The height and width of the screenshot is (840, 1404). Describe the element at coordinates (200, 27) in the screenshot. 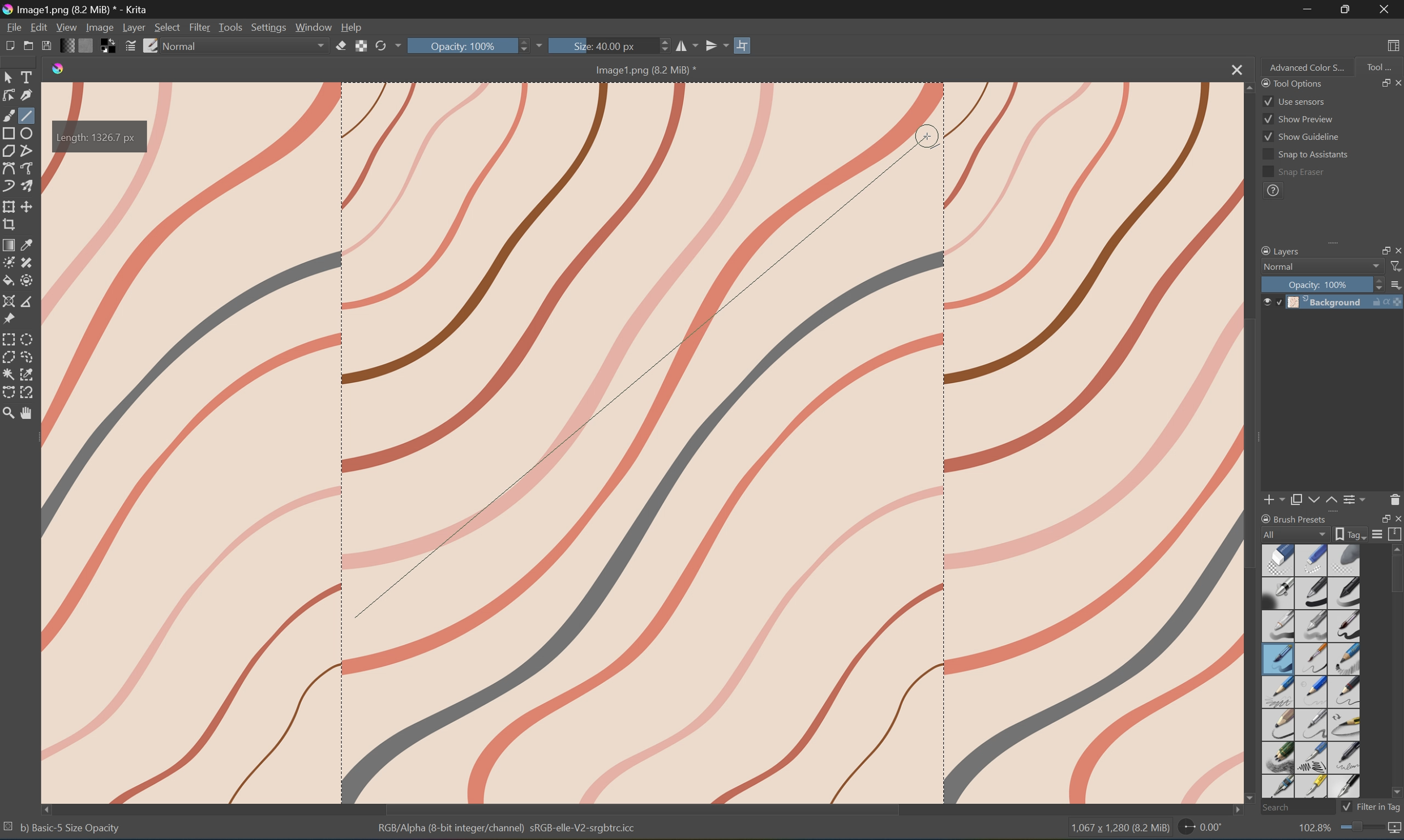

I see `Filter` at that location.